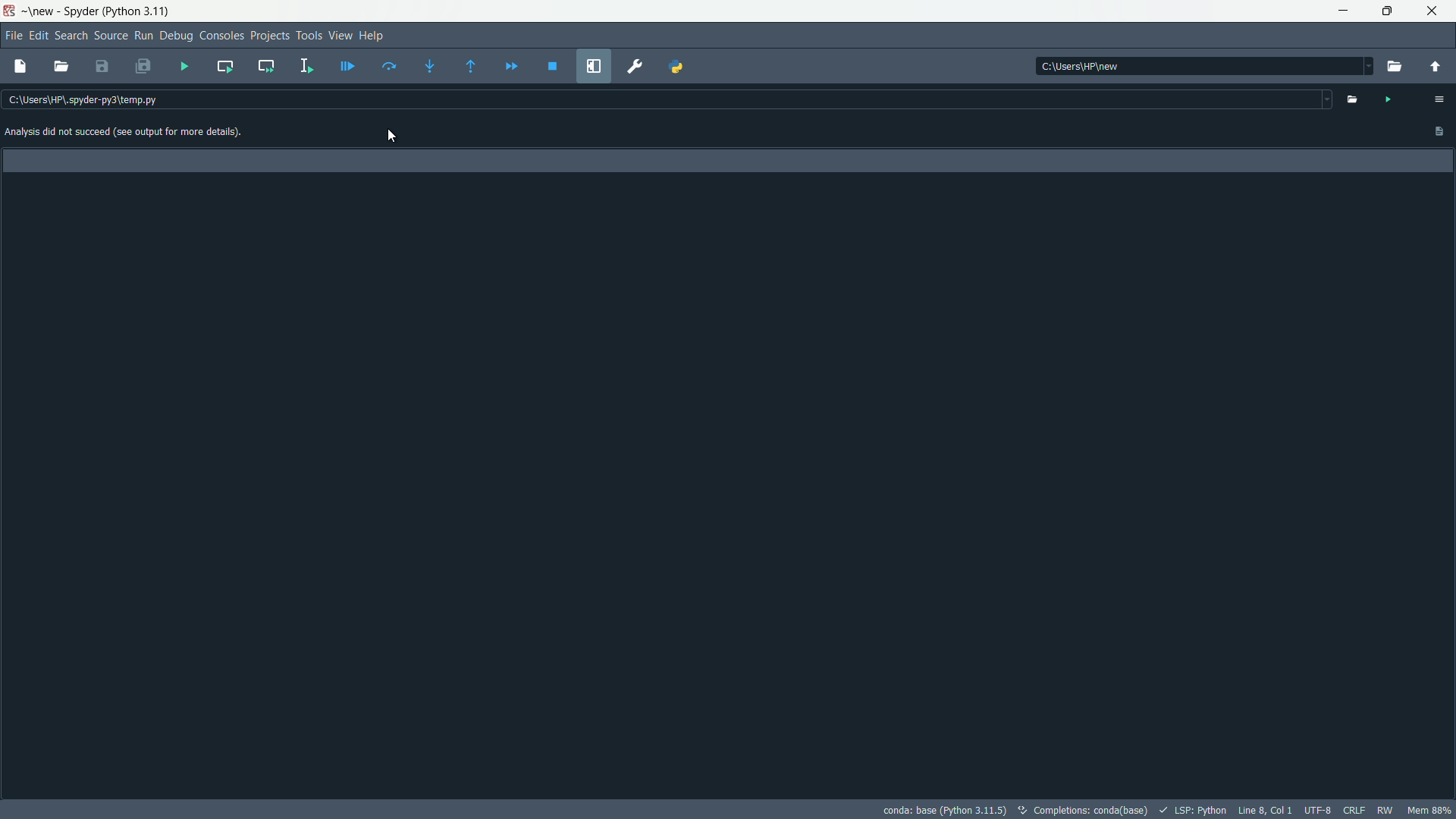 Image resolution: width=1456 pixels, height=819 pixels. What do you see at coordinates (80, 99) in the screenshot?
I see `c:\users\hp\.spyder-py3\temp.py` at bounding box center [80, 99].